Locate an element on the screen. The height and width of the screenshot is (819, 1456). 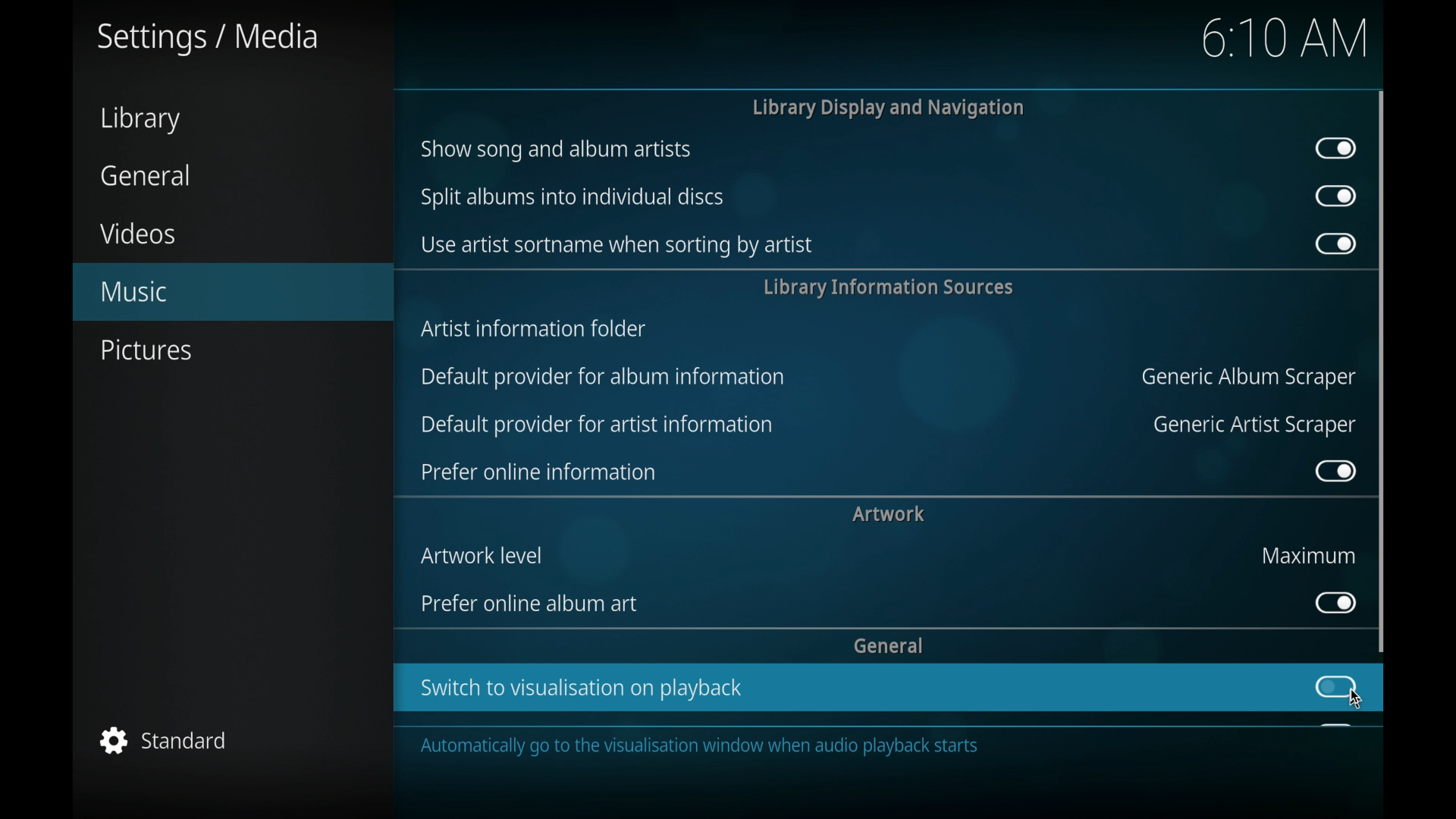
preferonlineinformation is located at coordinates (538, 472).